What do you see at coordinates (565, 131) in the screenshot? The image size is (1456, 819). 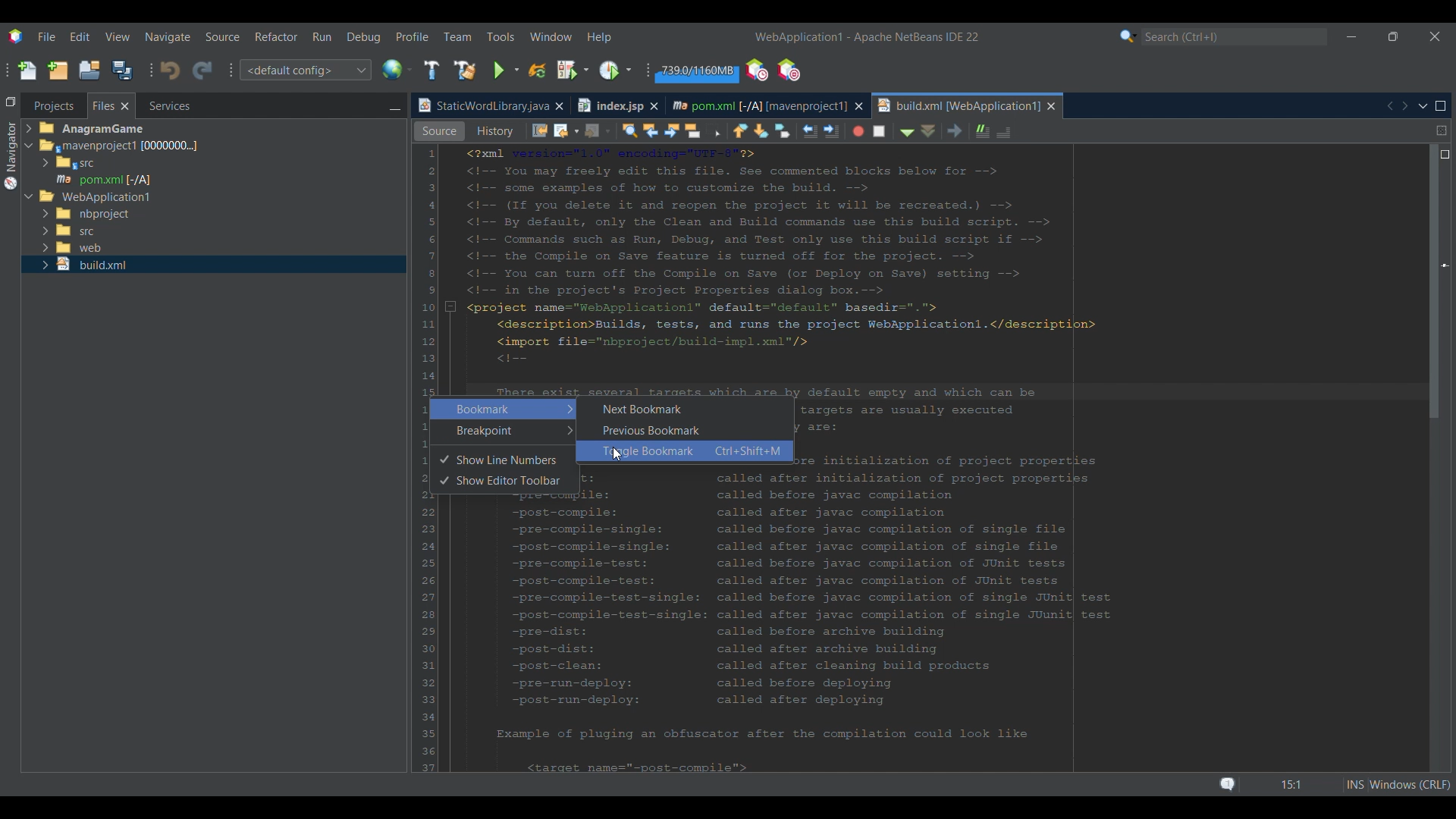 I see `Effective view` at bounding box center [565, 131].